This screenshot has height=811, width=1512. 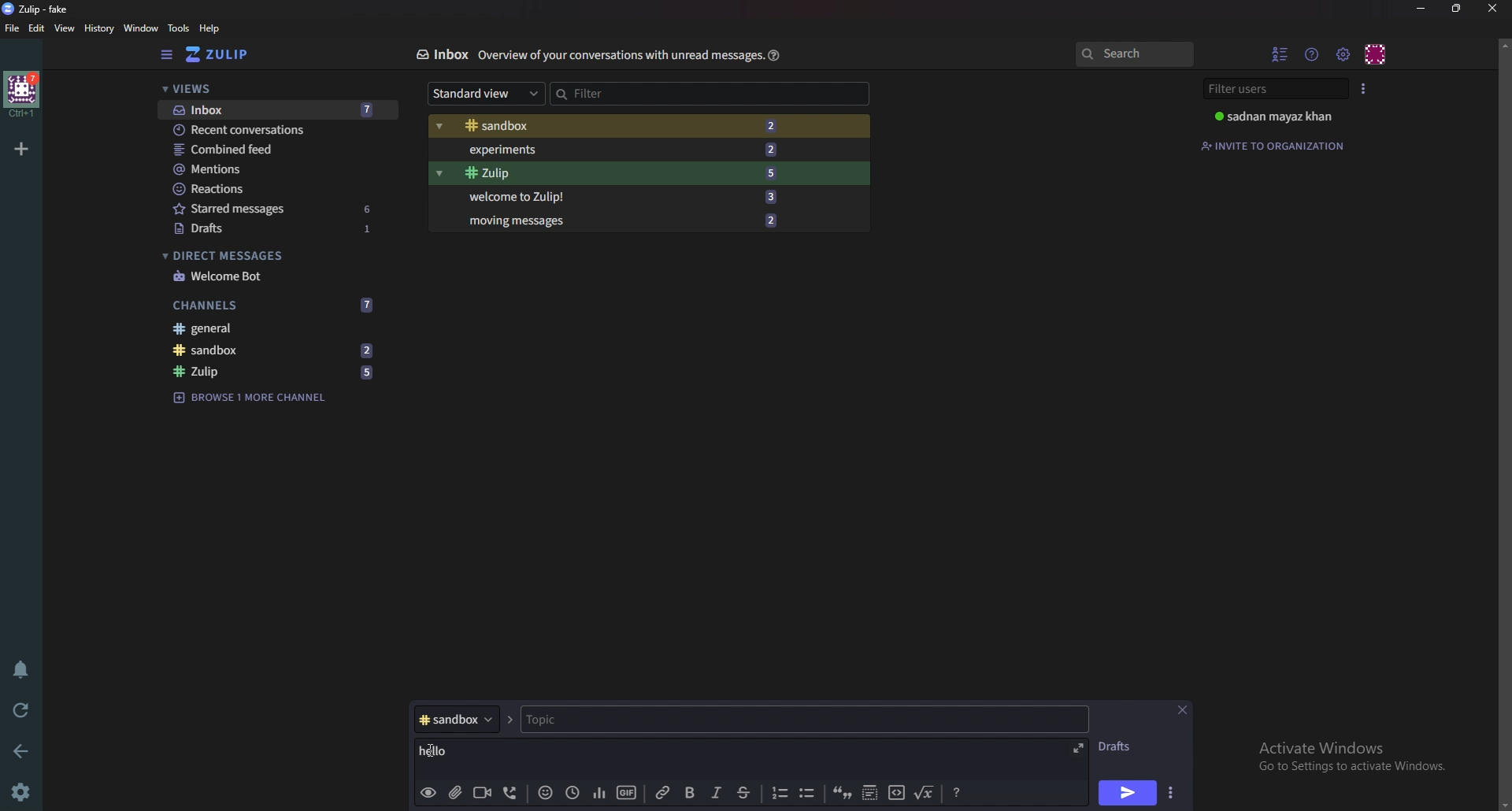 I want to click on Activate Windows
Go to Settings to activate Windows., so click(x=1345, y=756).